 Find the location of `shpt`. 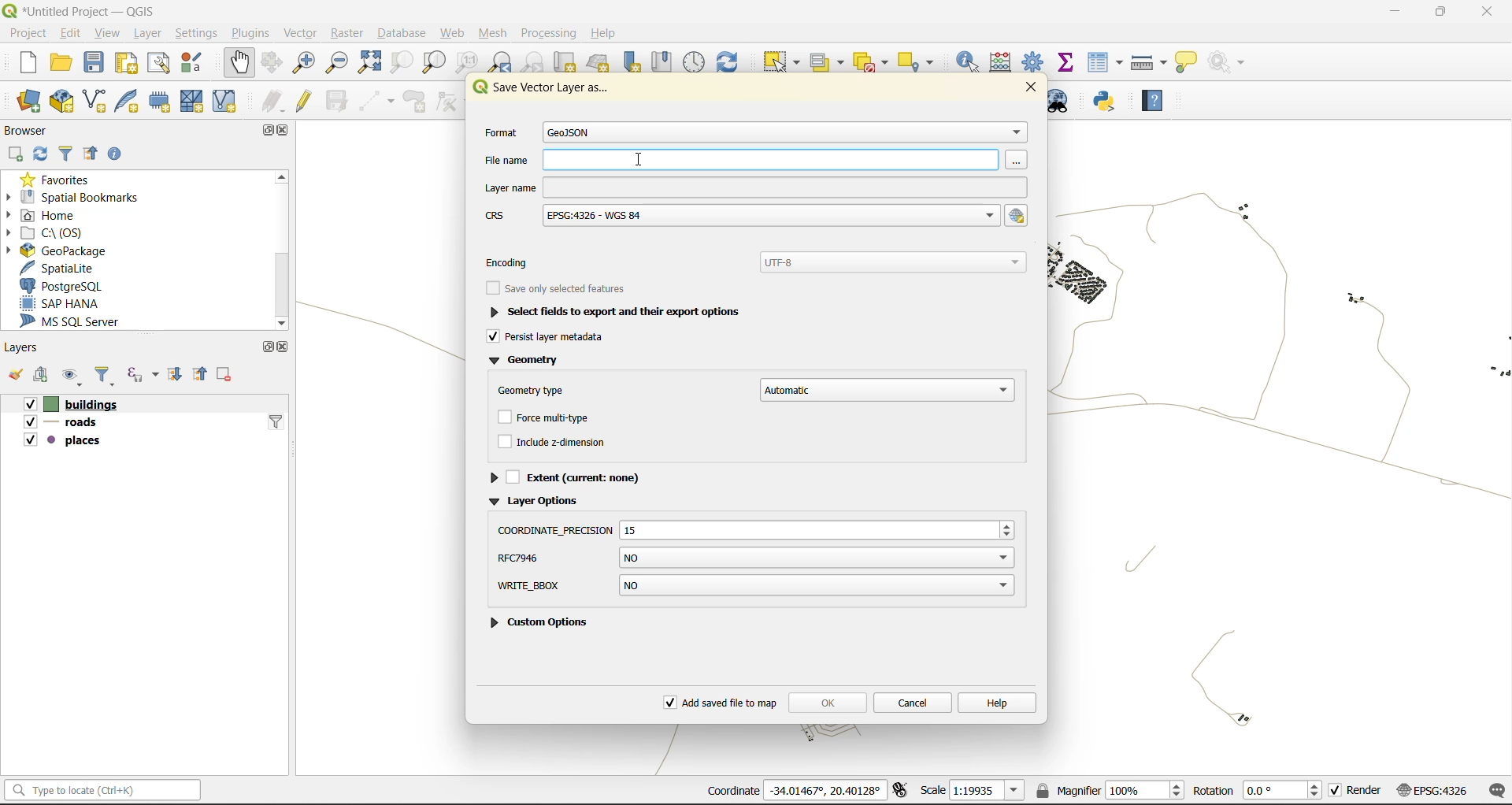

shpt is located at coordinates (754, 558).